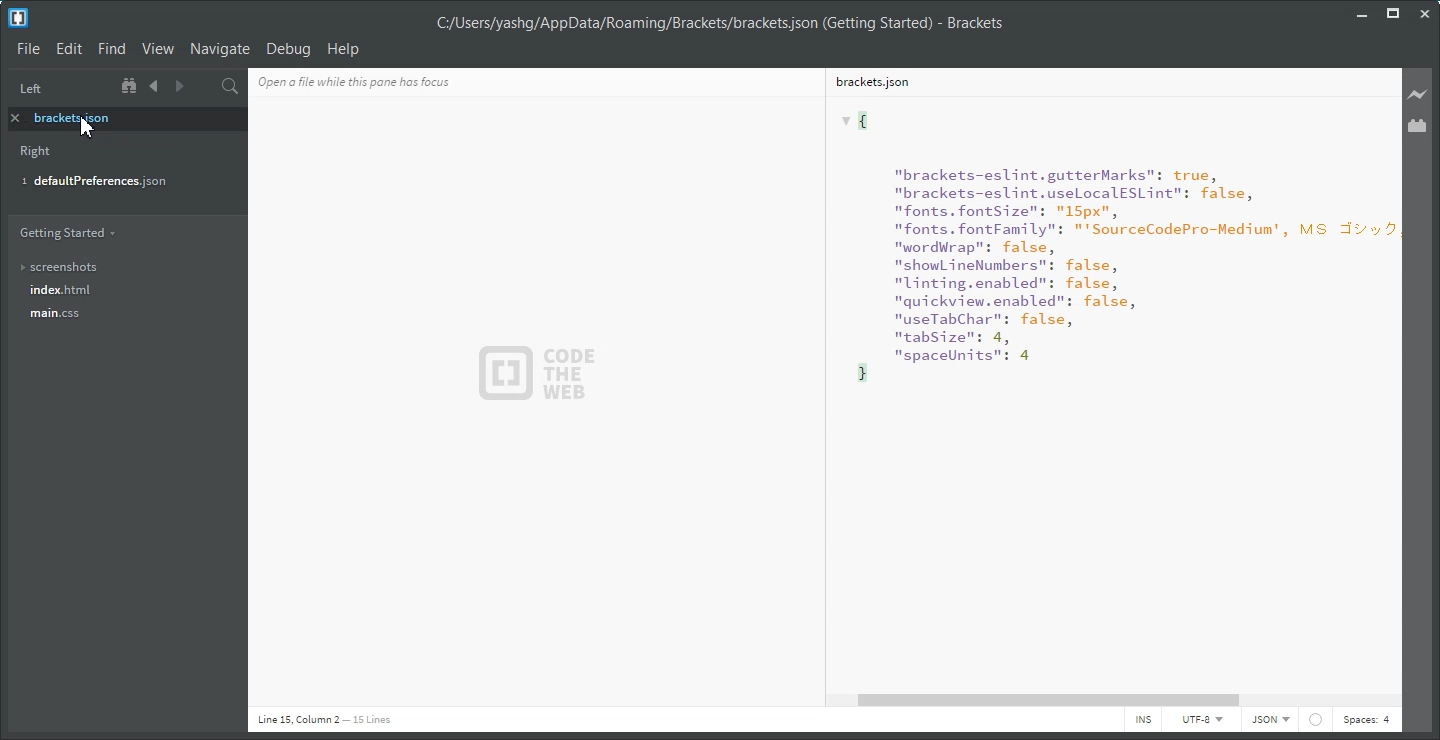  I want to click on brackets.json File, so click(1103, 81).